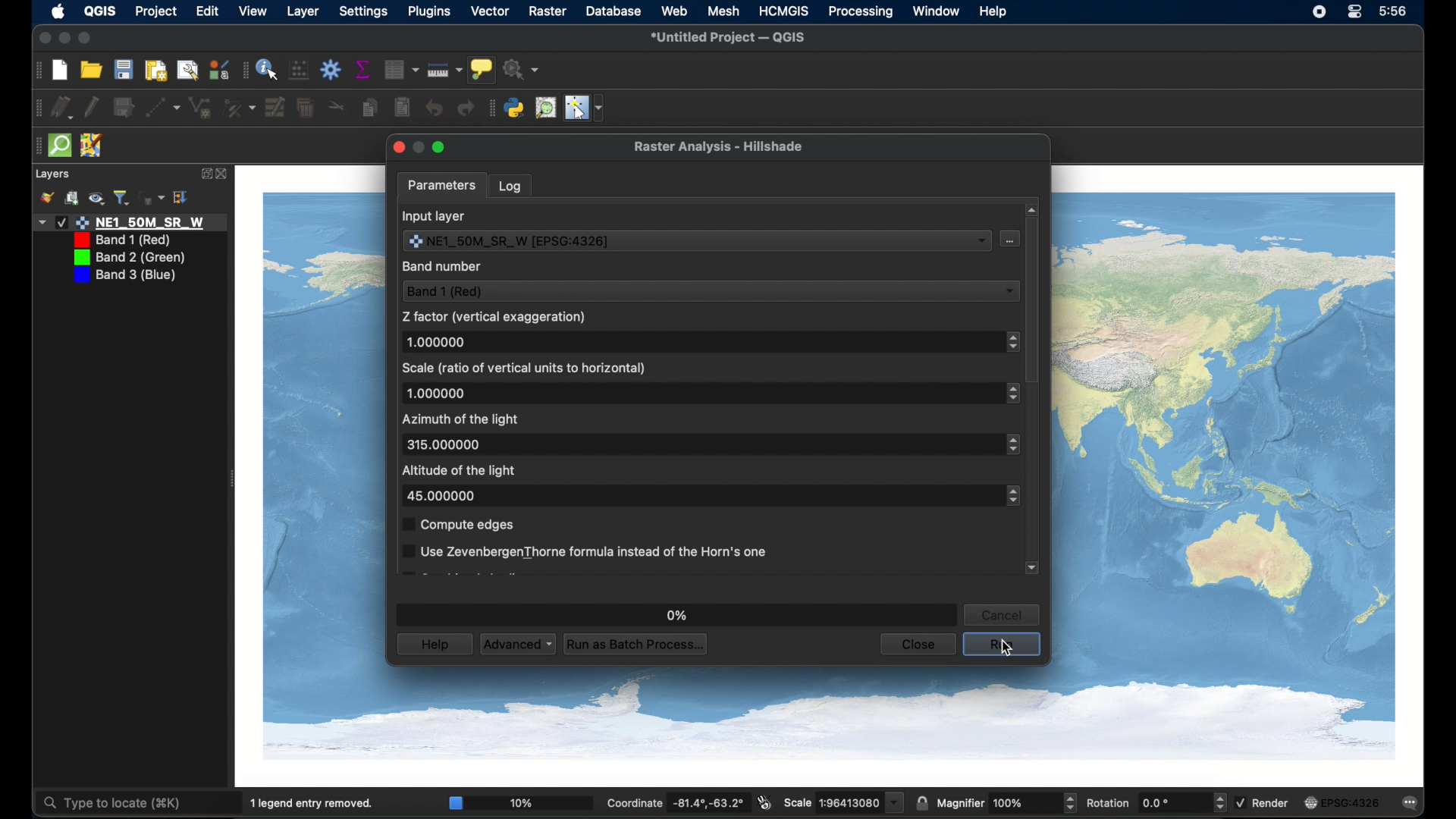 The image size is (1456, 819). I want to click on open field calculator, so click(300, 71).